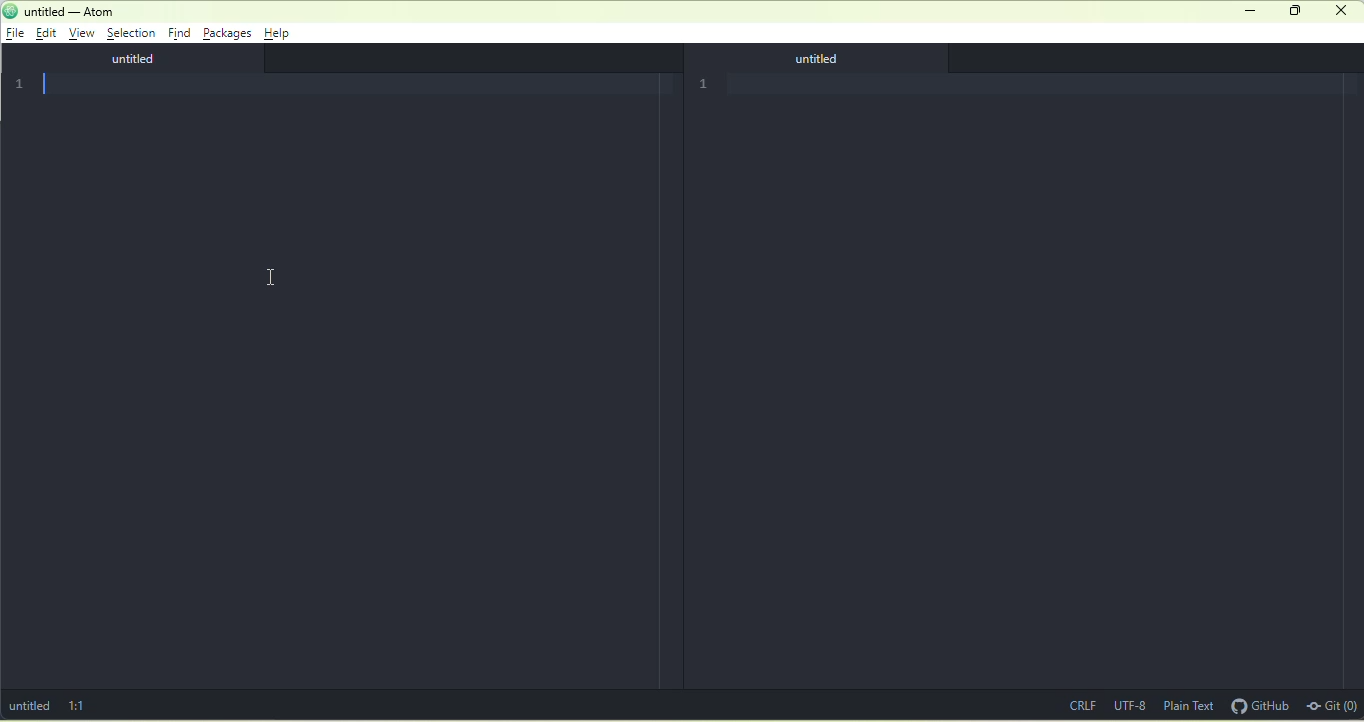  What do you see at coordinates (280, 33) in the screenshot?
I see `help` at bounding box center [280, 33].